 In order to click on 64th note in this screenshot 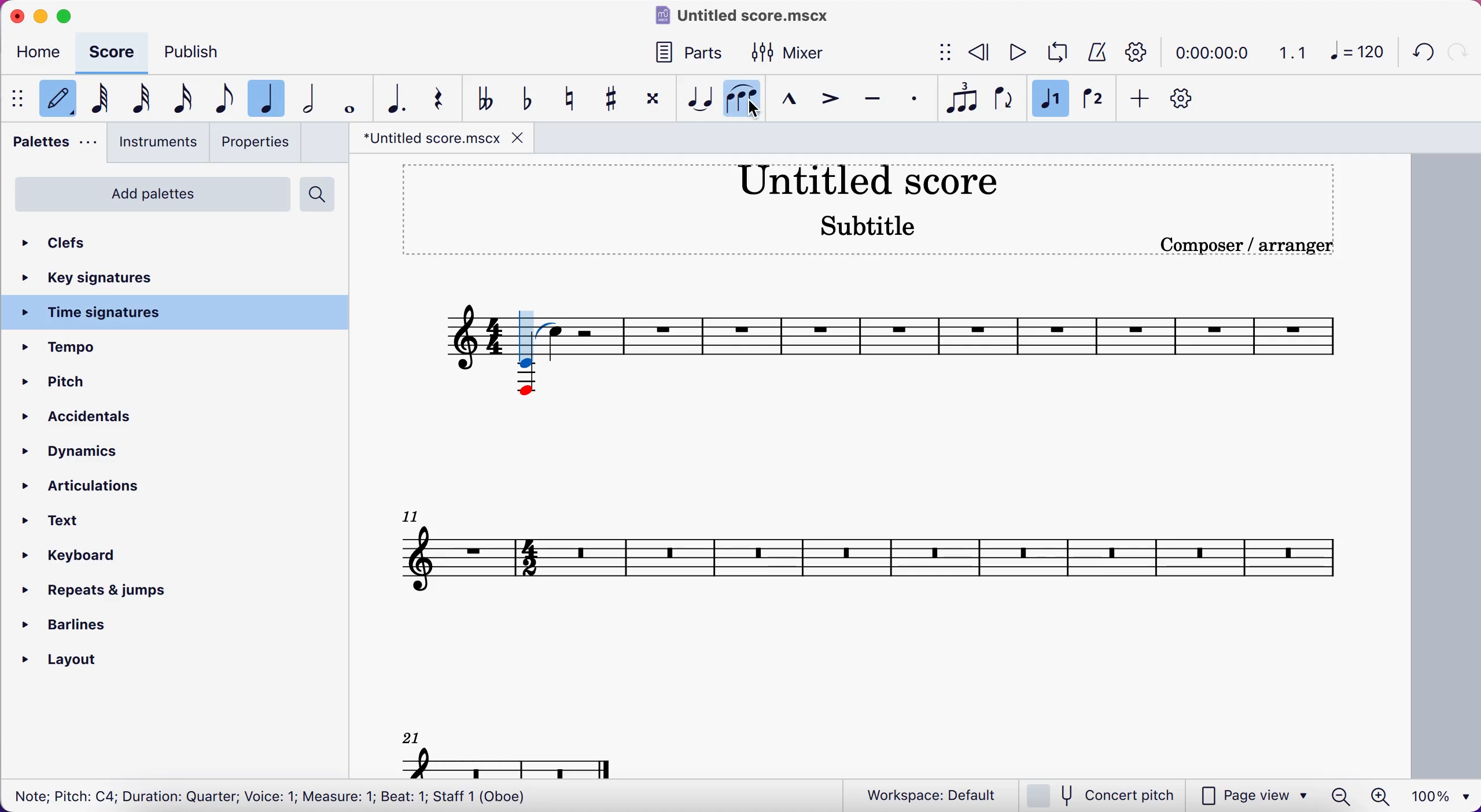, I will do `click(105, 100)`.